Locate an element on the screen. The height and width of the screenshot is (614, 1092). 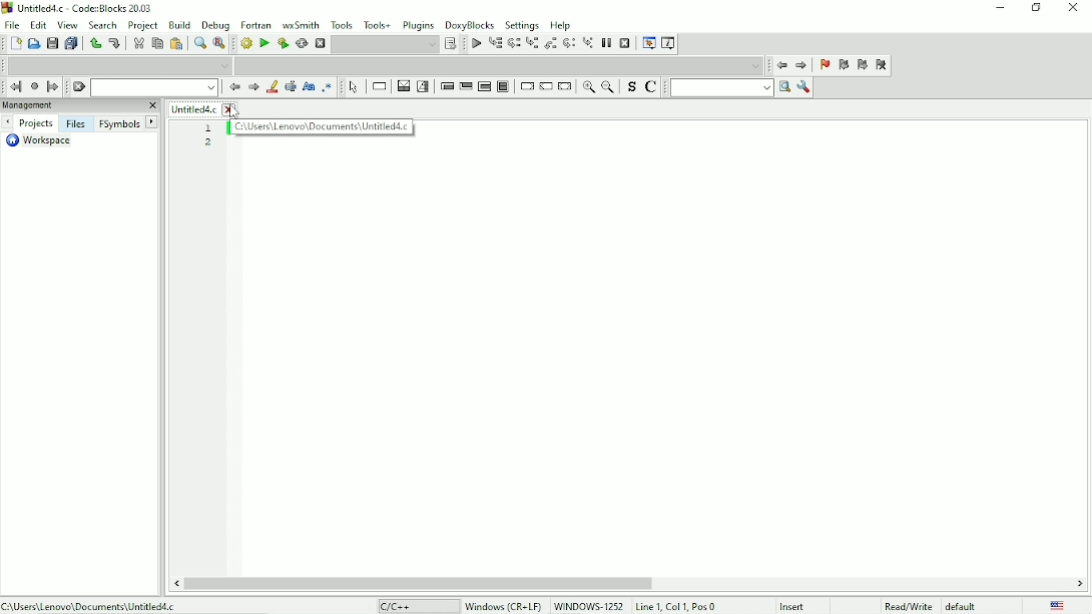
Instruction is located at coordinates (380, 88).